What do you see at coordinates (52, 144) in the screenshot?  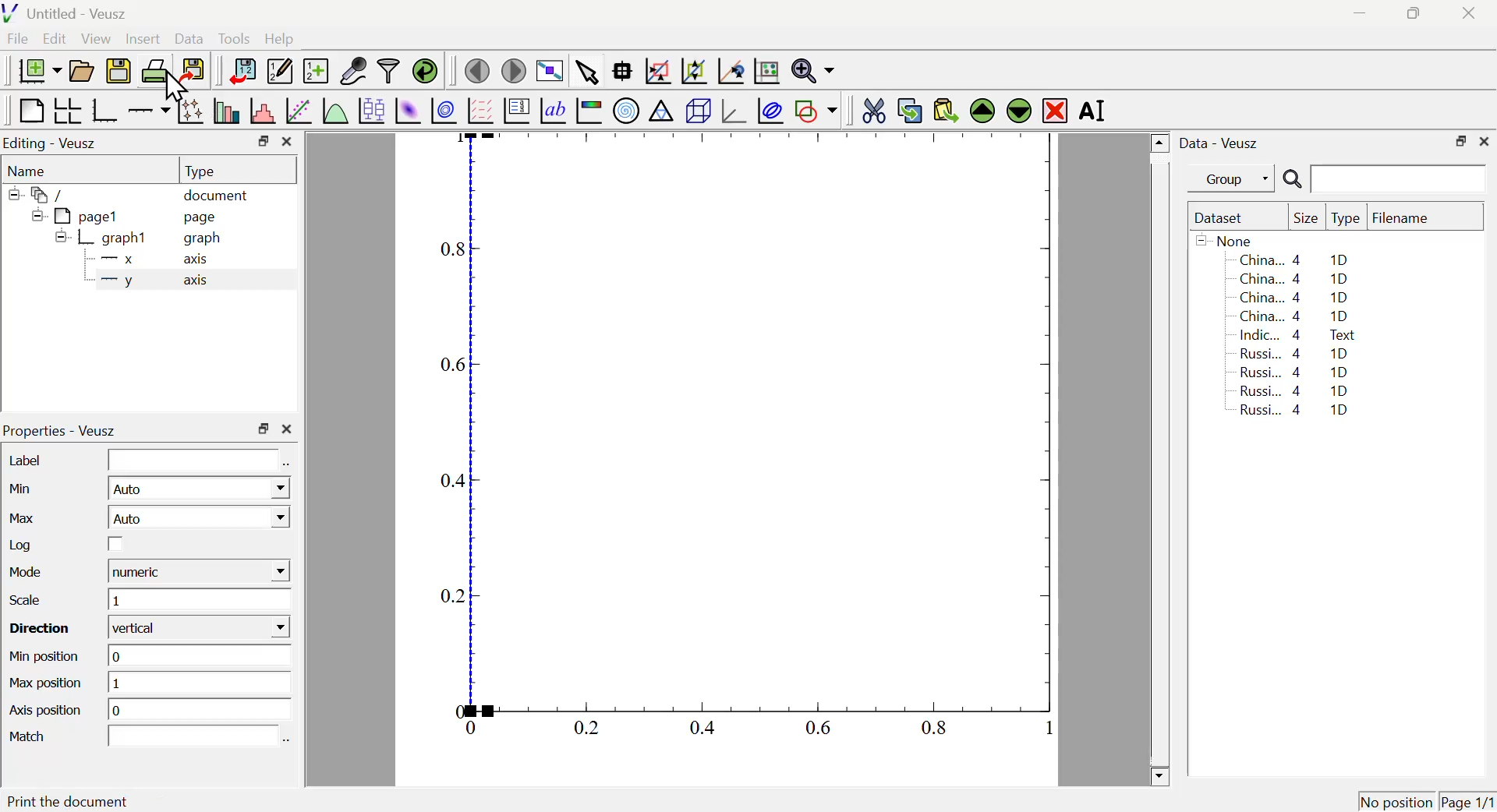 I see `Editing - Veusz` at bounding box center [52, 144].